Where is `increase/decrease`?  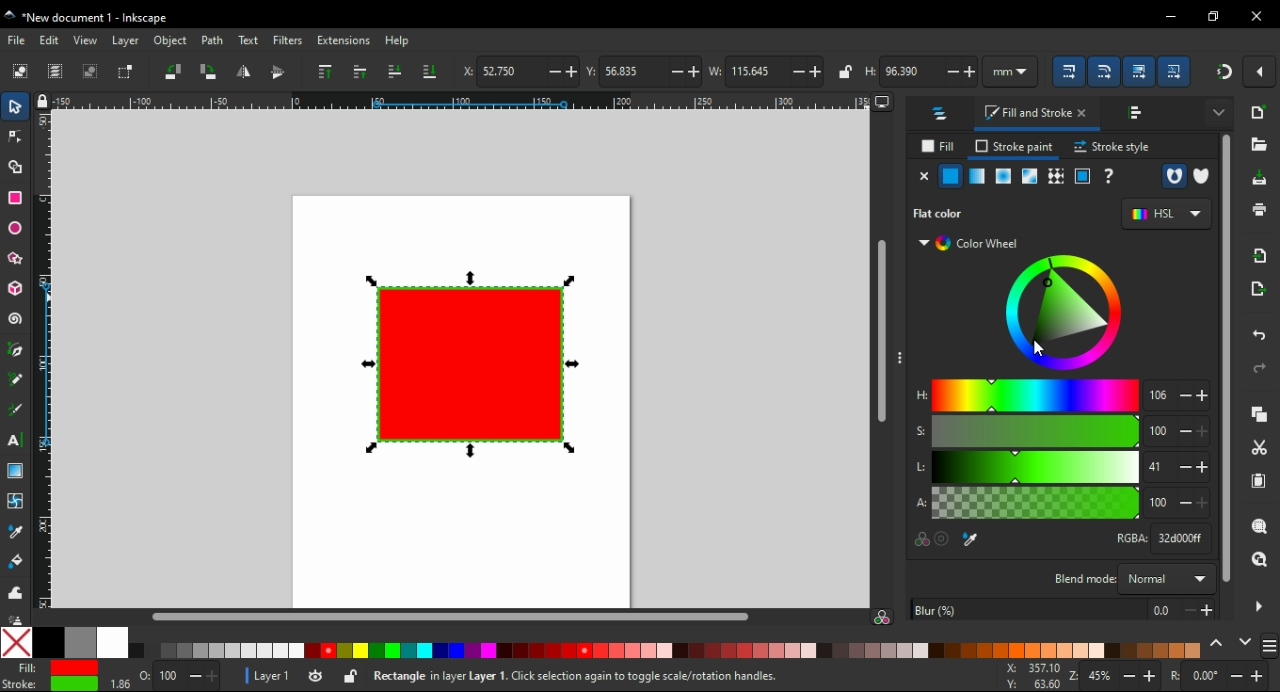 increase/decrease is located at coordinates (1194, 432).